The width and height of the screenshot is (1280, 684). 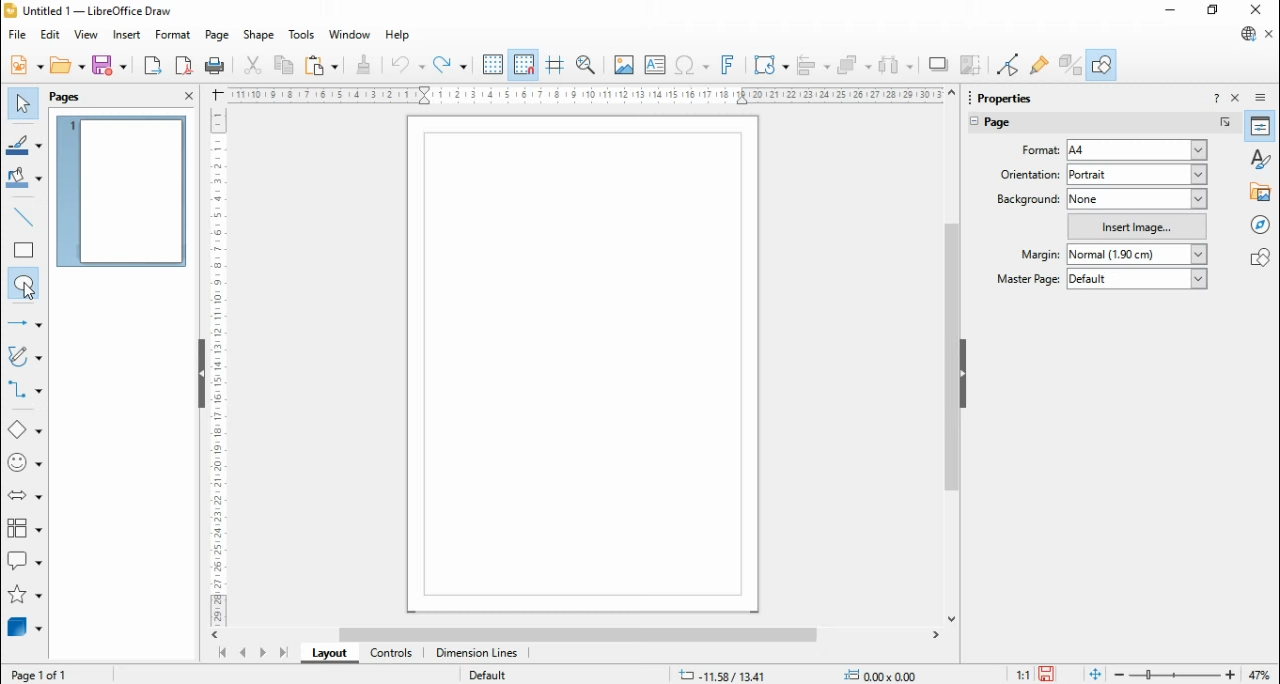 What do you see at coordinates (1027, 199) in the screenshot?
I see `background` at bounding box center [1027, 199].